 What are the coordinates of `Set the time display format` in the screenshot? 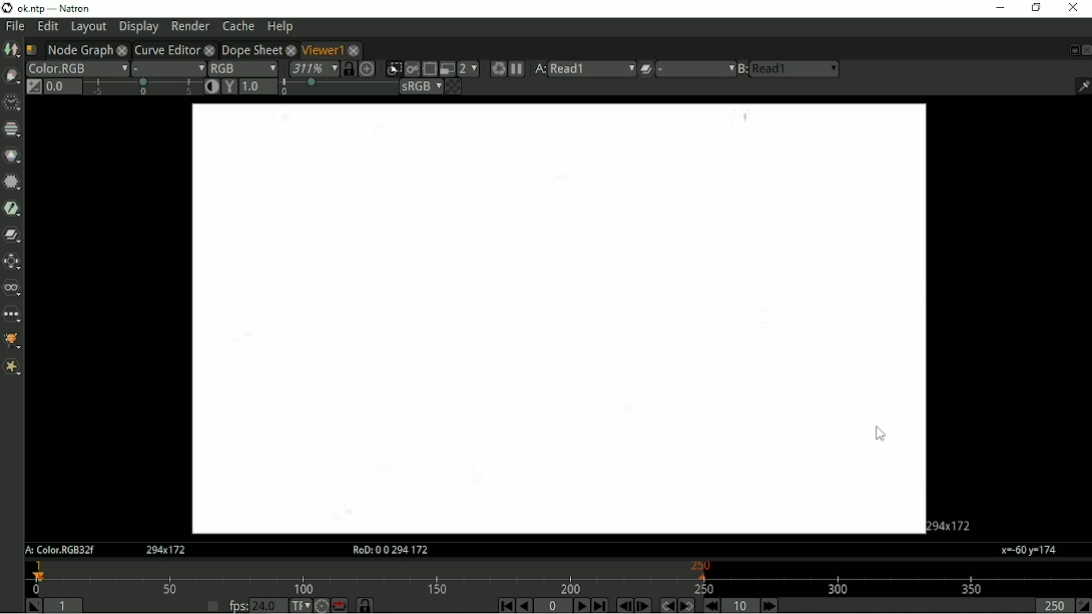 It's located at (299, 606).